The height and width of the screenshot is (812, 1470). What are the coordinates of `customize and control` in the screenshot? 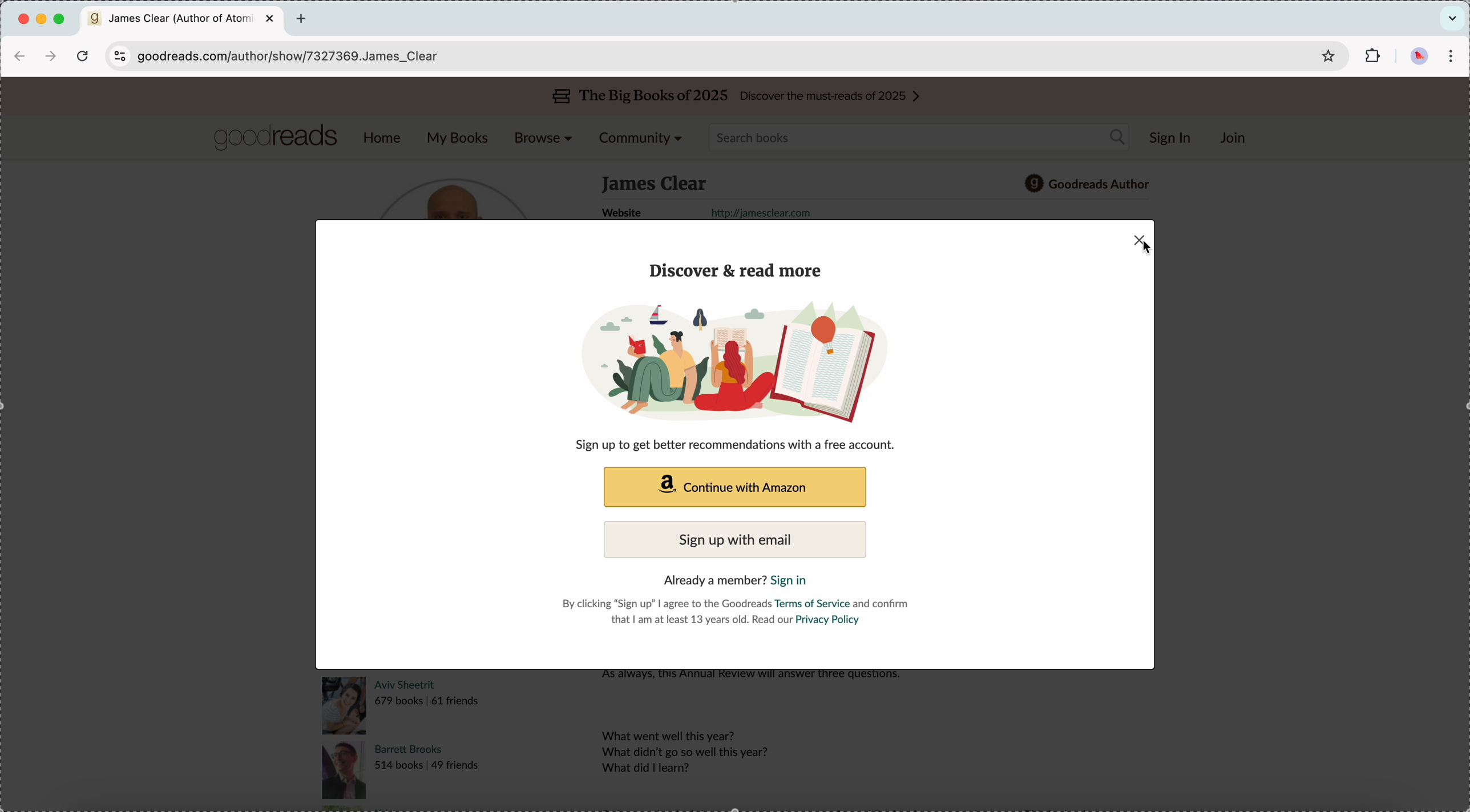 It's located at (1451, 55).